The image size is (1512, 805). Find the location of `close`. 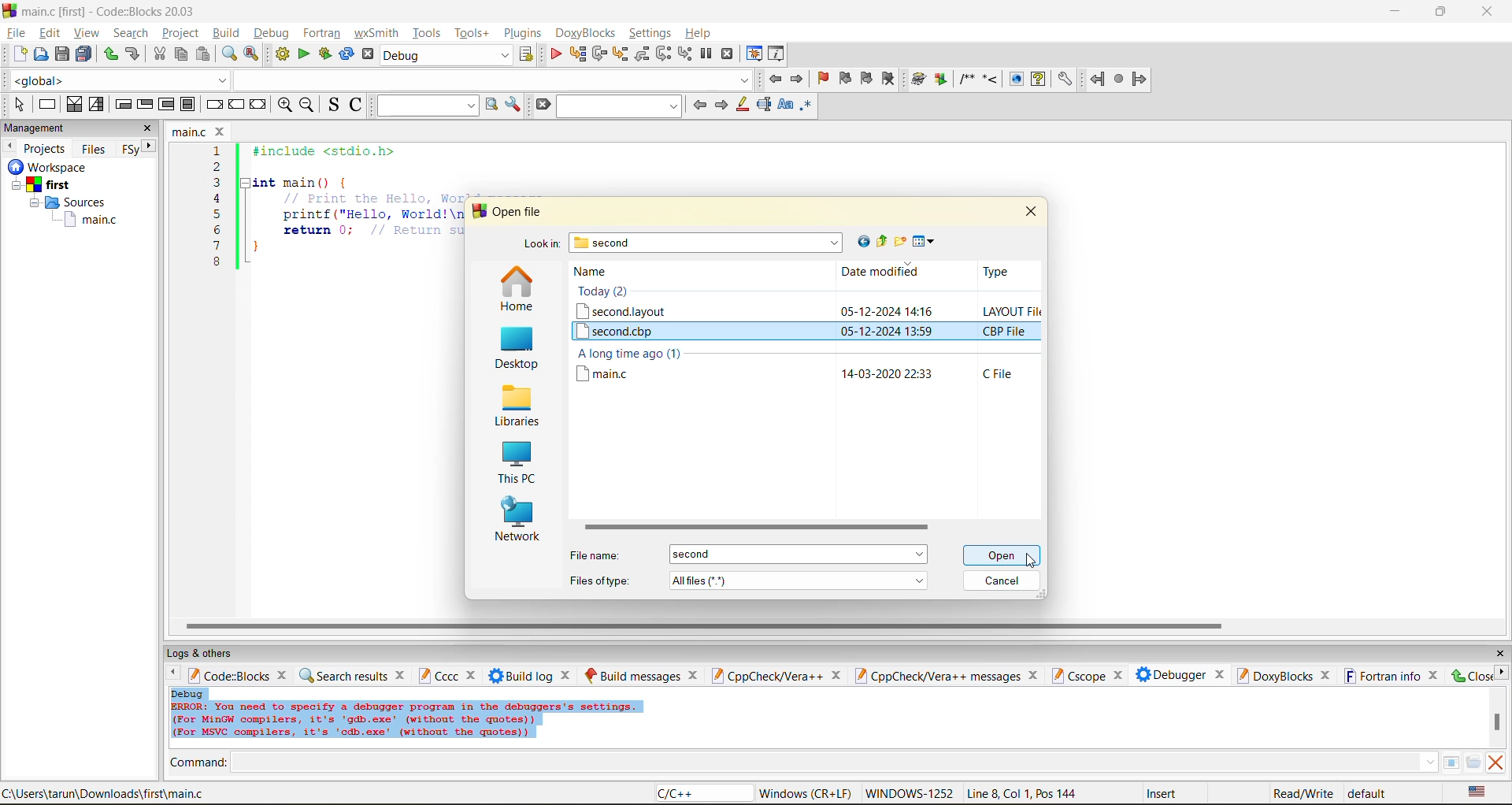

close is located at coordinates (568, 675).